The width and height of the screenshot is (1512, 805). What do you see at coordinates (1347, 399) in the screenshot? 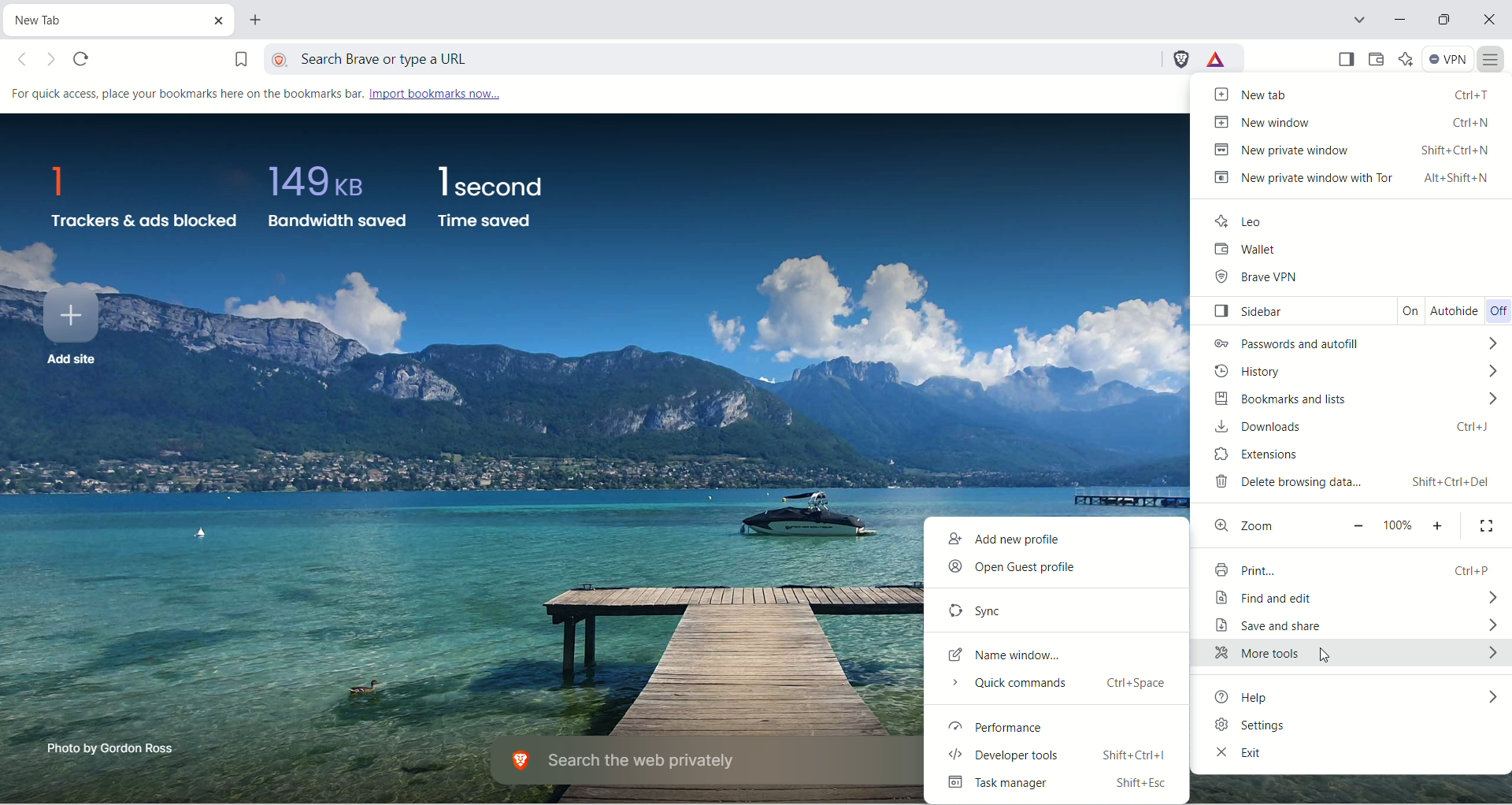
I see `bookmarks and lists` at bounding box center [1347, 399].